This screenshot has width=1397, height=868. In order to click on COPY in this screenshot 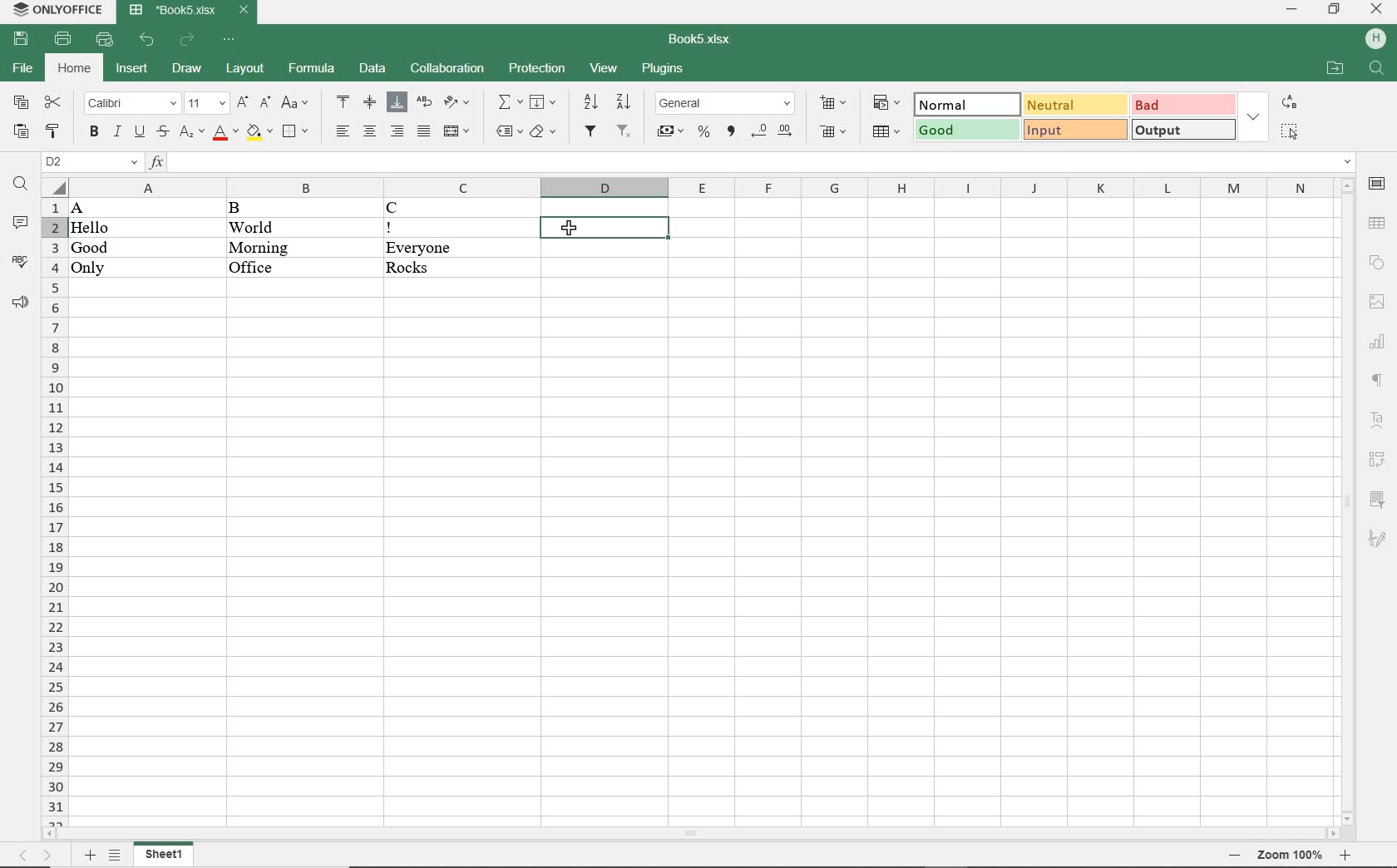, I will do `click(22, 103)`.